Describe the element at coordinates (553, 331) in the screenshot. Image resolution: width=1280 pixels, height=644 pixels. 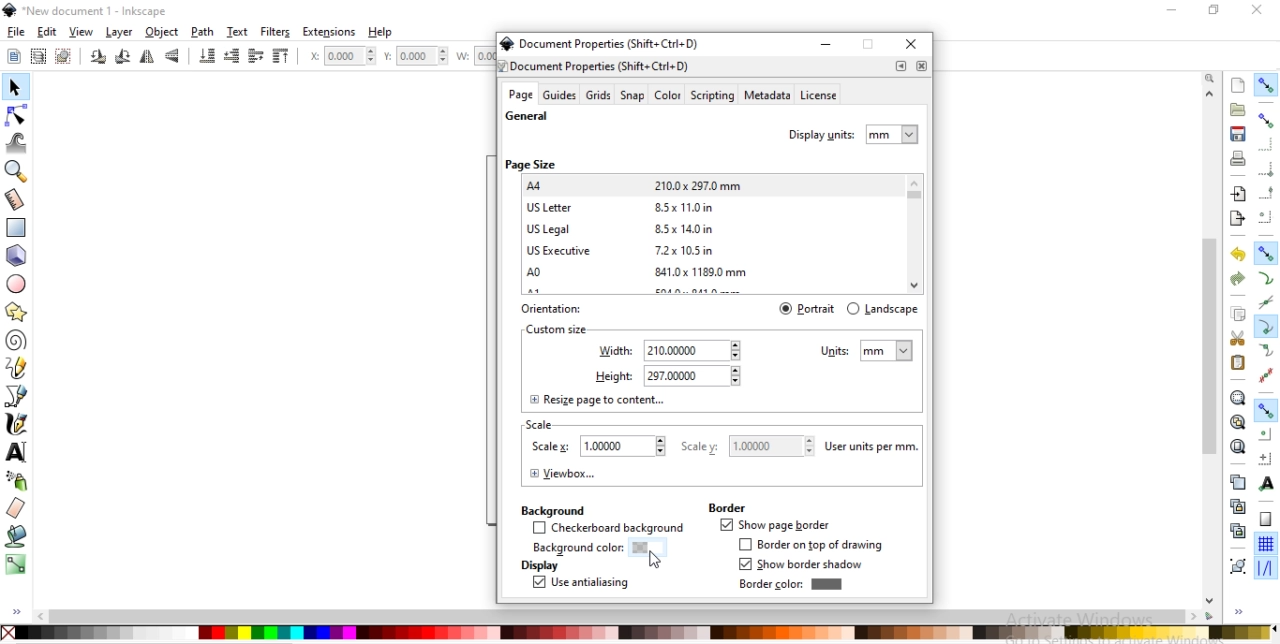
I see `text` at that location.